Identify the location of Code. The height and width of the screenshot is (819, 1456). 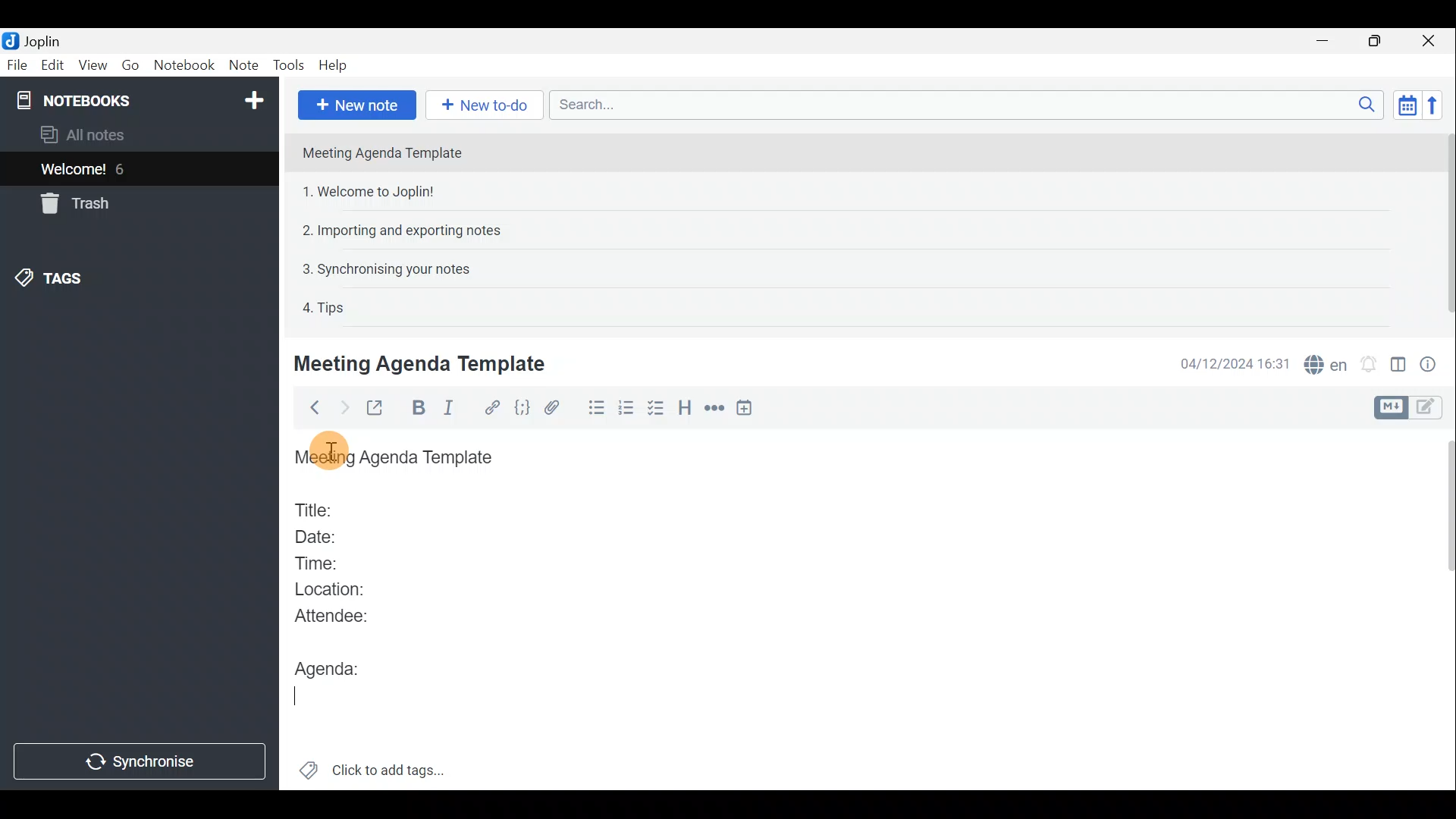
(524, 409).